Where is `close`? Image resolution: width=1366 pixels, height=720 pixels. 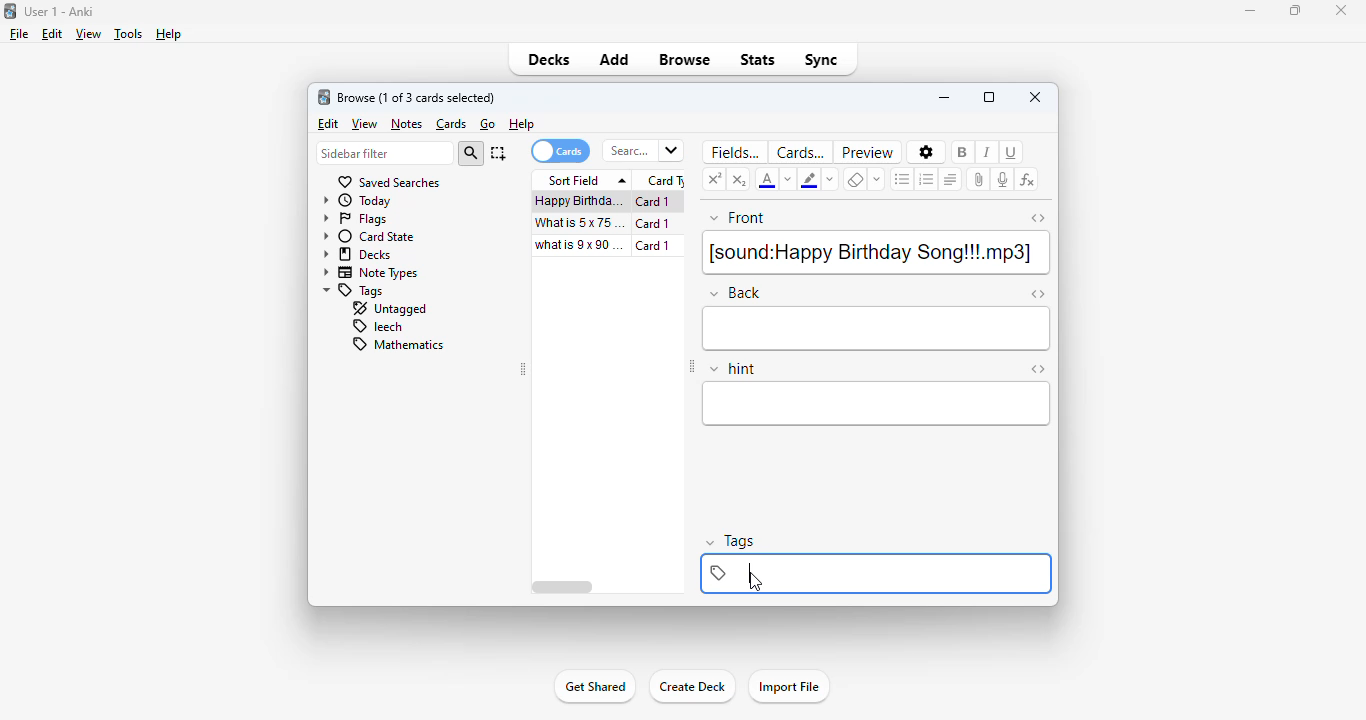 close is located at coordinates (1340, 9).